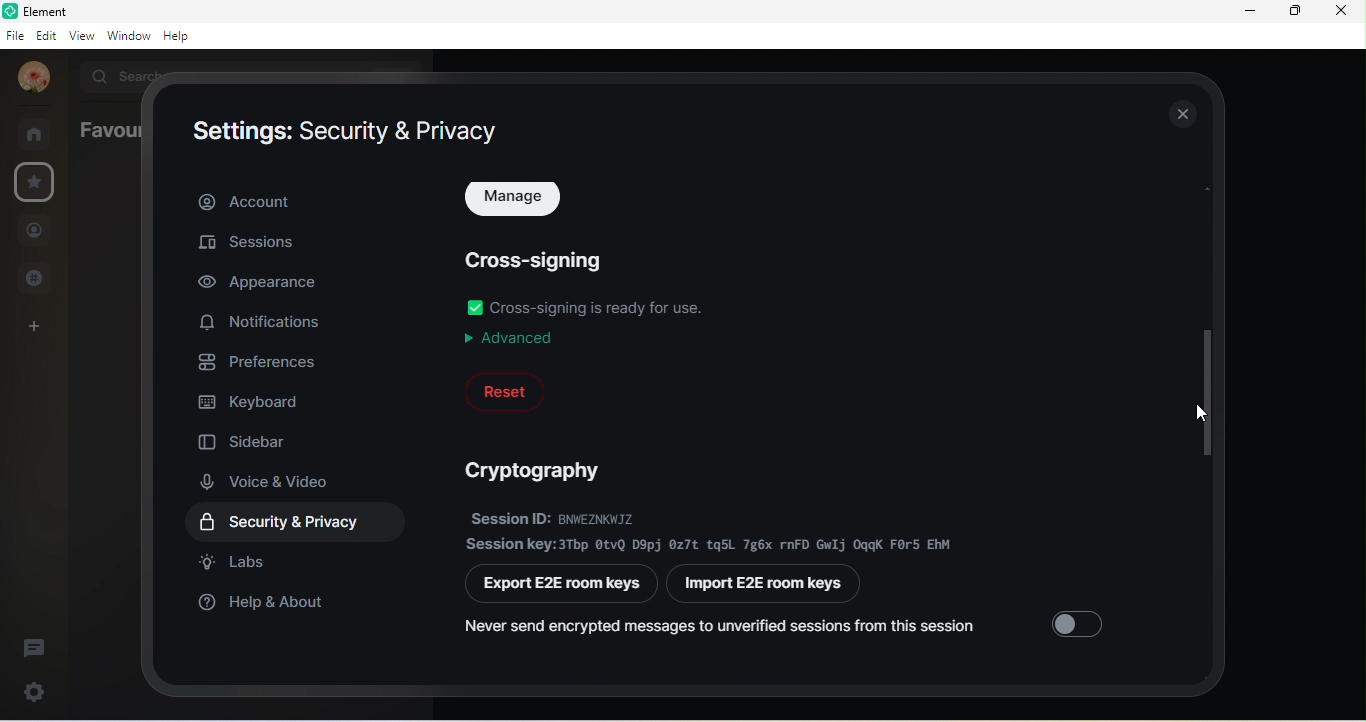 The image size is (1366, 722). What do you see at coordinates (1200, 417) in the screenshot?
I see `cursor movement` at bounding box center [1200, 417].